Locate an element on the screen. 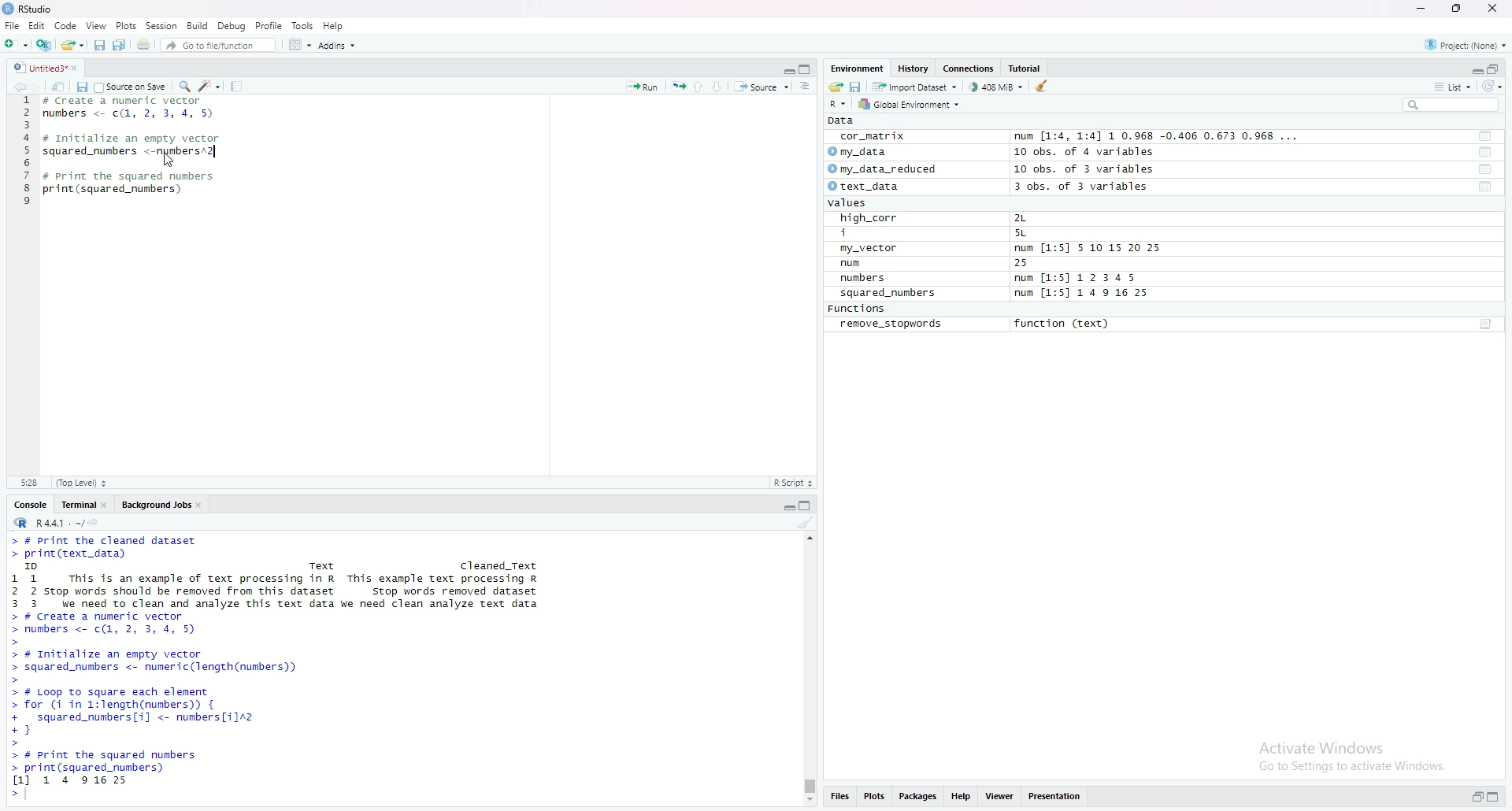 This screenshot has width=1512, height=811. high_corr is located at coordinates (870, 218).